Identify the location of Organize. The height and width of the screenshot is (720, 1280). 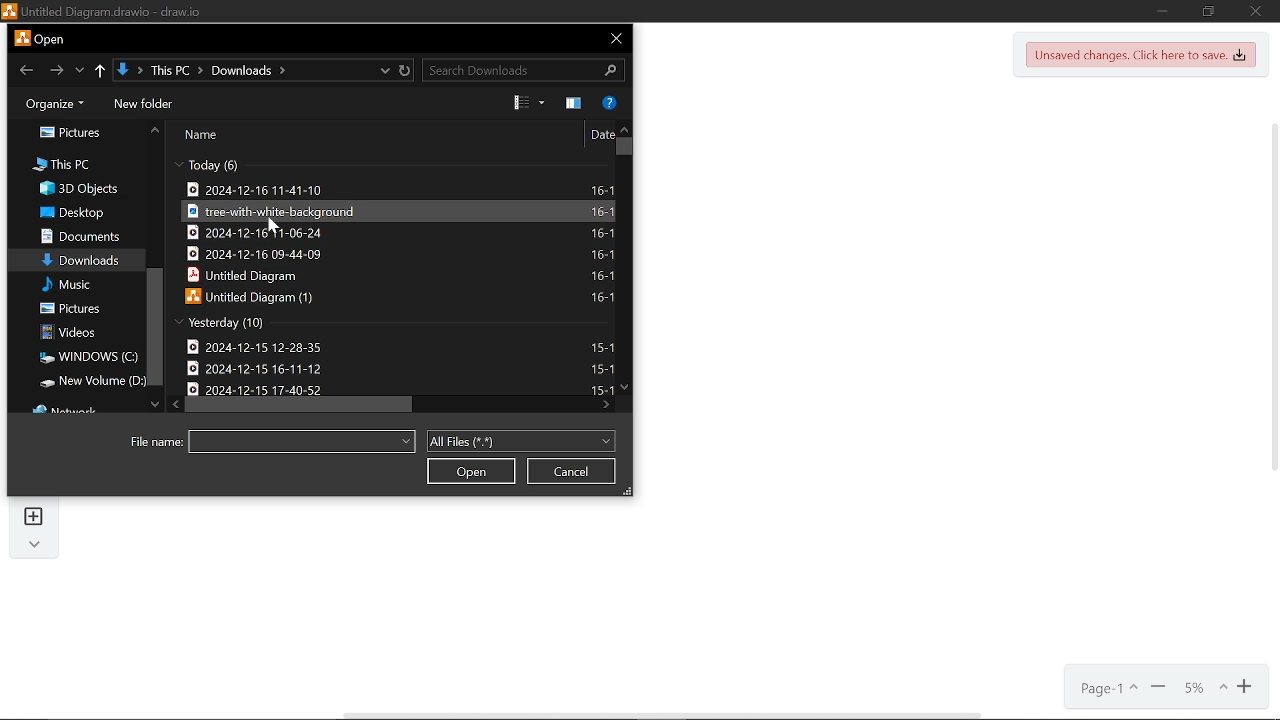
(51, 102).